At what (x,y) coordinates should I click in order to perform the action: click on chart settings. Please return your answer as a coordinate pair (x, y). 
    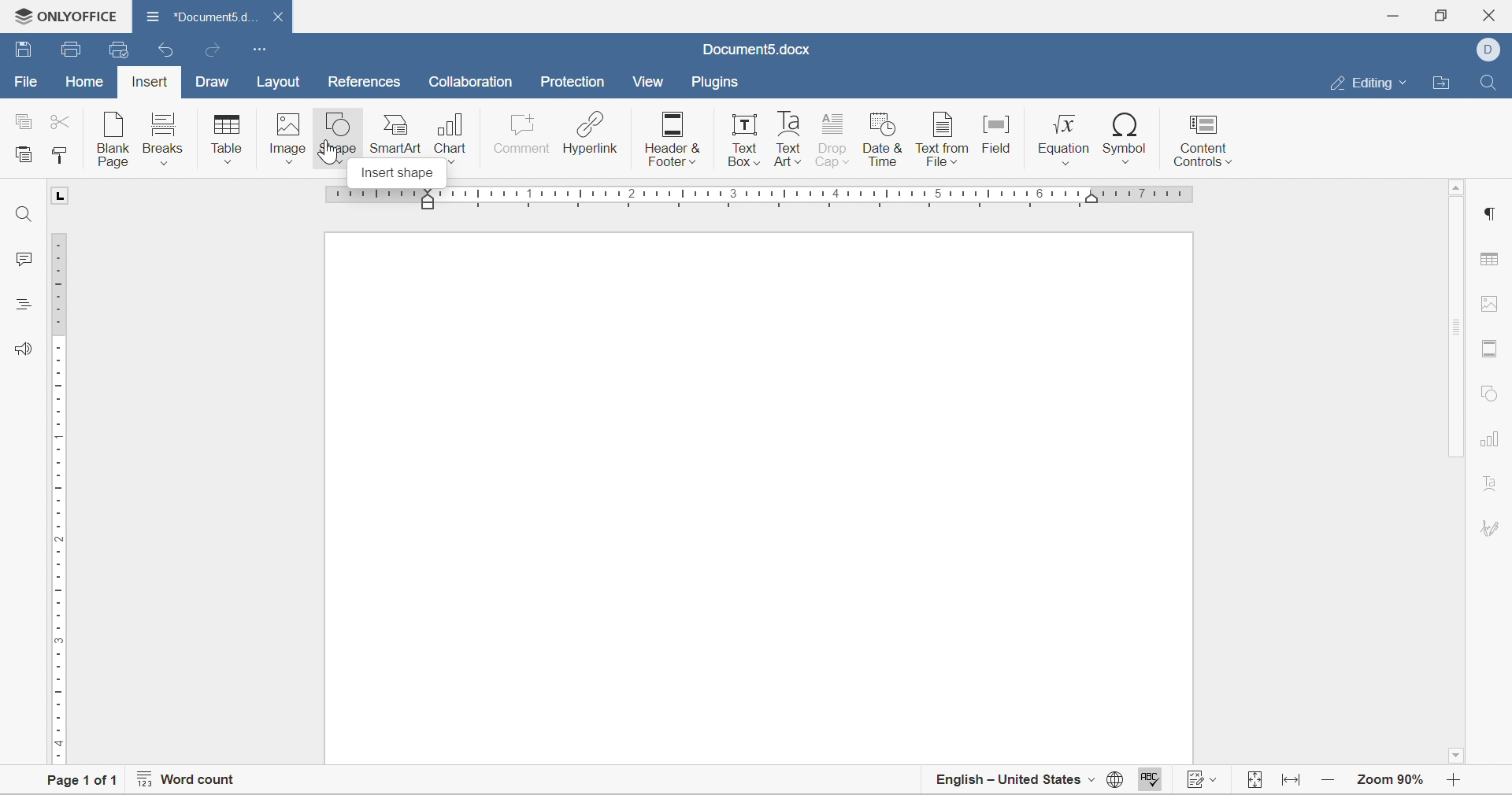
    Looking at the image, I should click on (1493, 439).